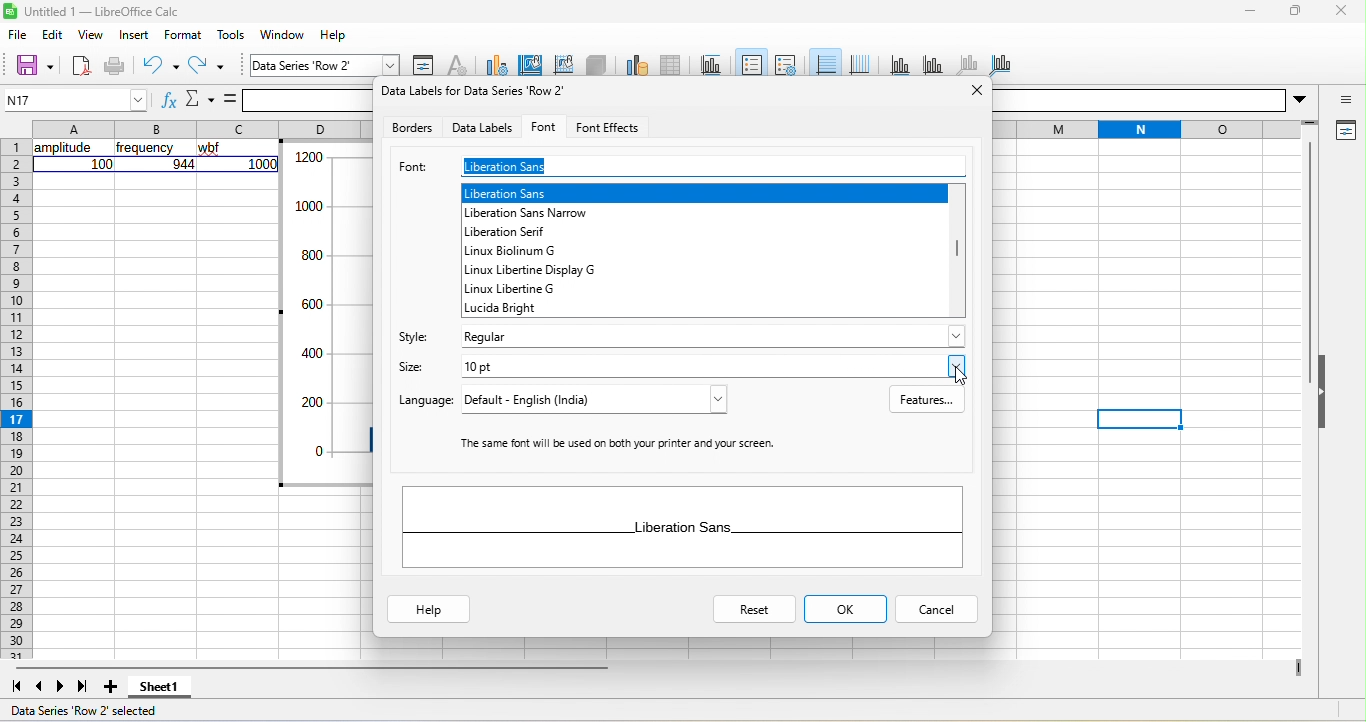 Image resolution: width=1366 pixels, height=722 pixels. Describe the element at coordinates (15, 399) in the screenshot. I see `rows` at that location.